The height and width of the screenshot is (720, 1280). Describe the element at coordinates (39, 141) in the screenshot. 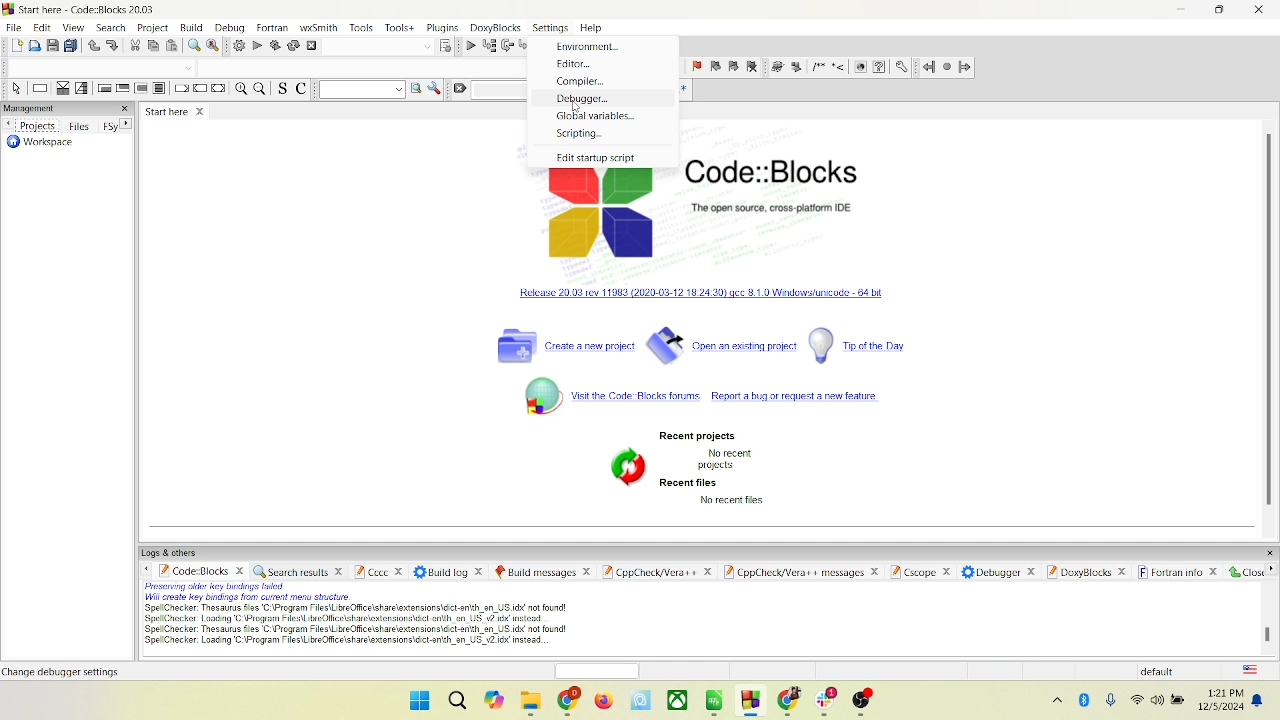

I see `workspace` at that location.